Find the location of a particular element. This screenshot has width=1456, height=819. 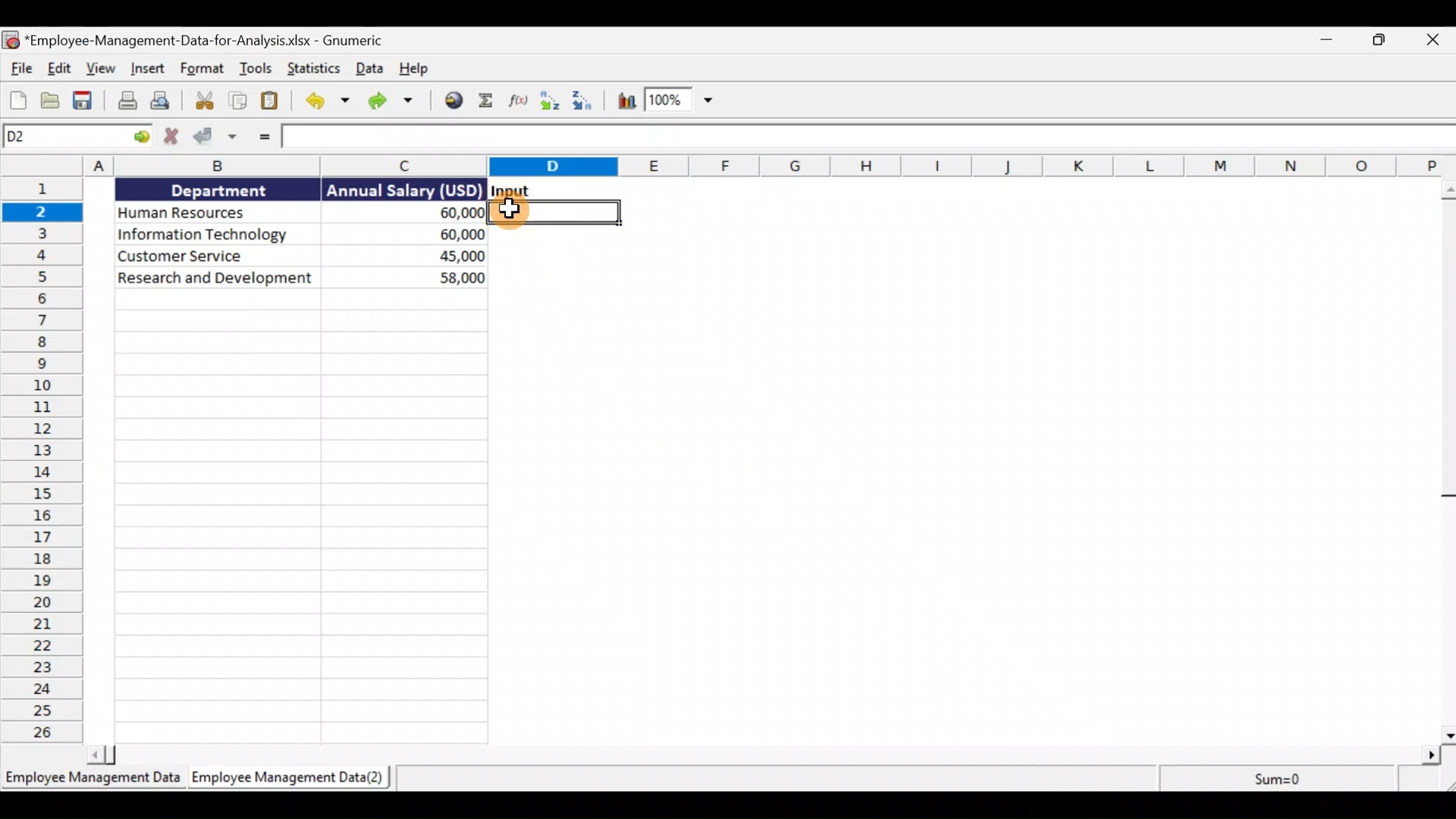

Accept change is located at coordinates (215, 137).